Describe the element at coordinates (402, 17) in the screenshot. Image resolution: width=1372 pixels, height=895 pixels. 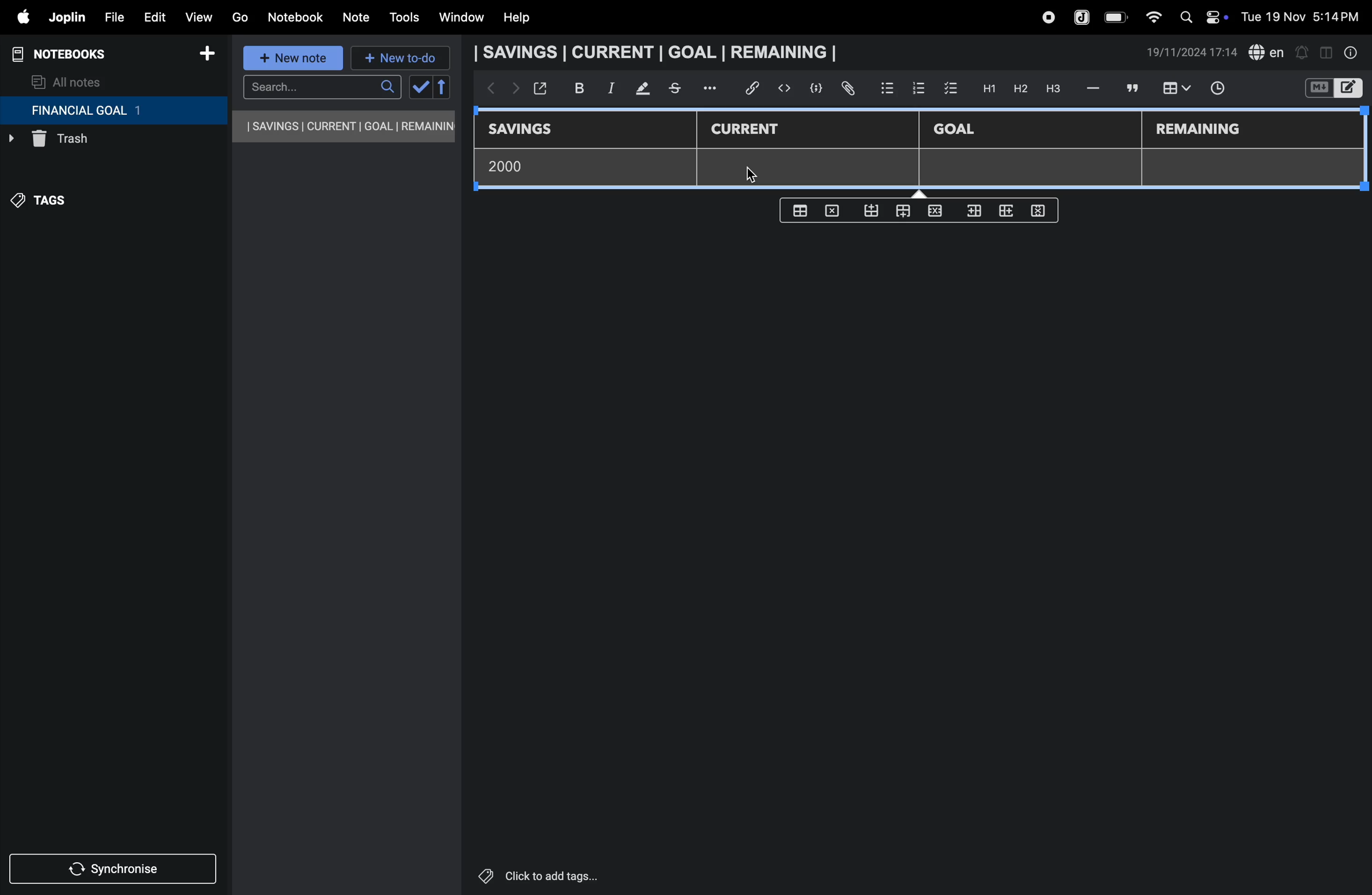
I see `tools` at that location.